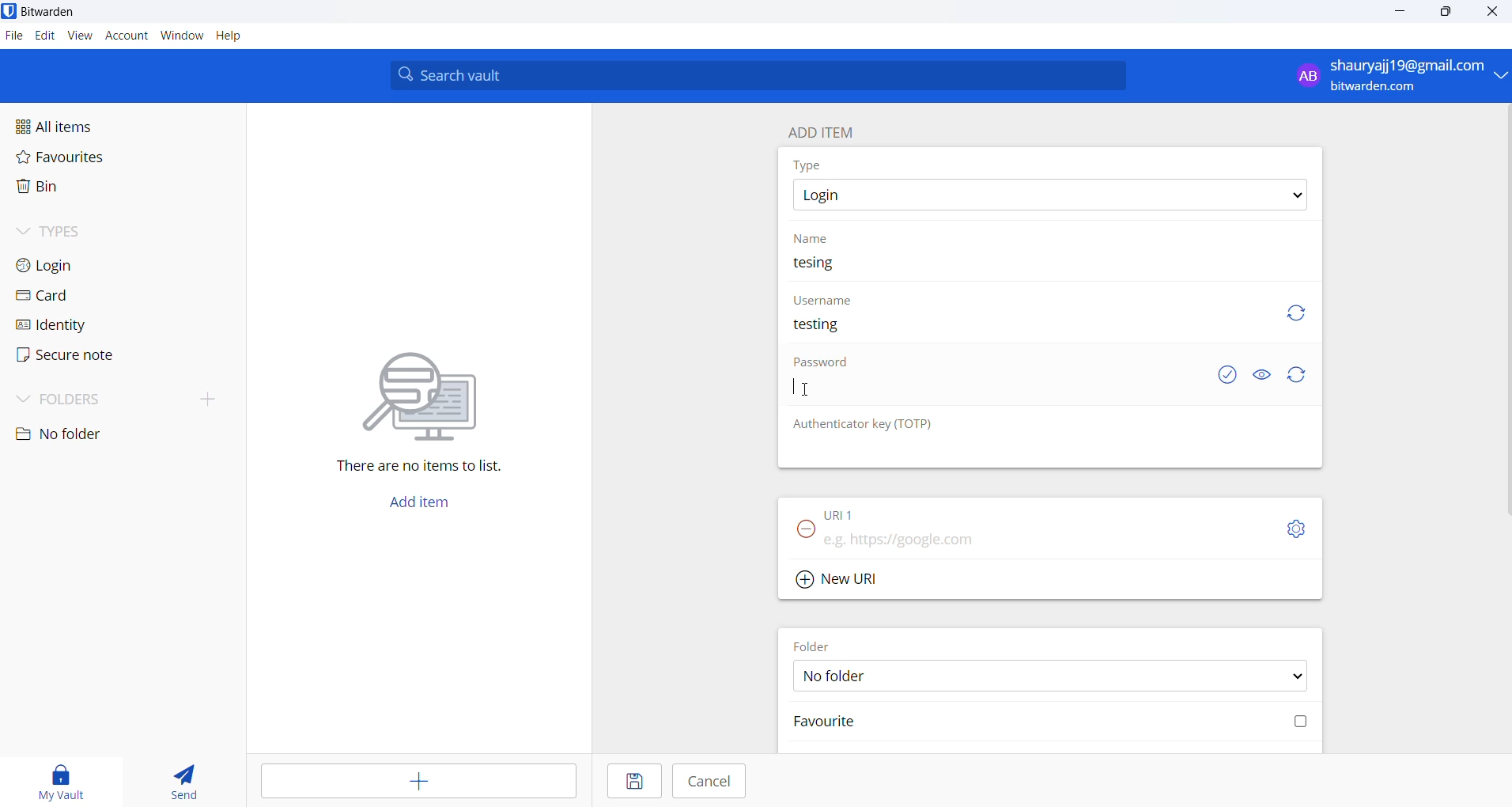  Describe the element at coordinates (1398, 16) in the screenshot. I see `minimize` at that location.